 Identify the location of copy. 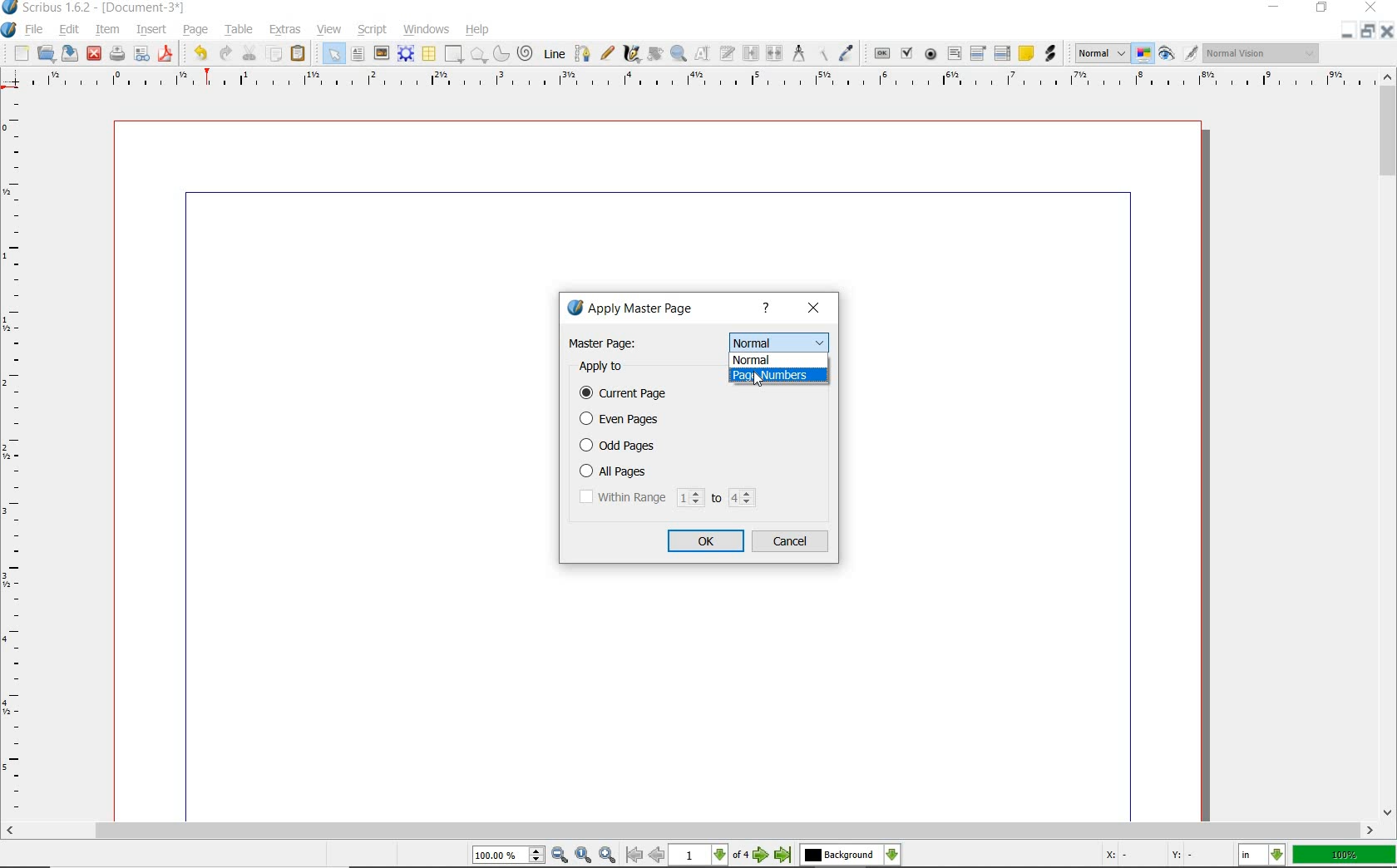
(274, 53).